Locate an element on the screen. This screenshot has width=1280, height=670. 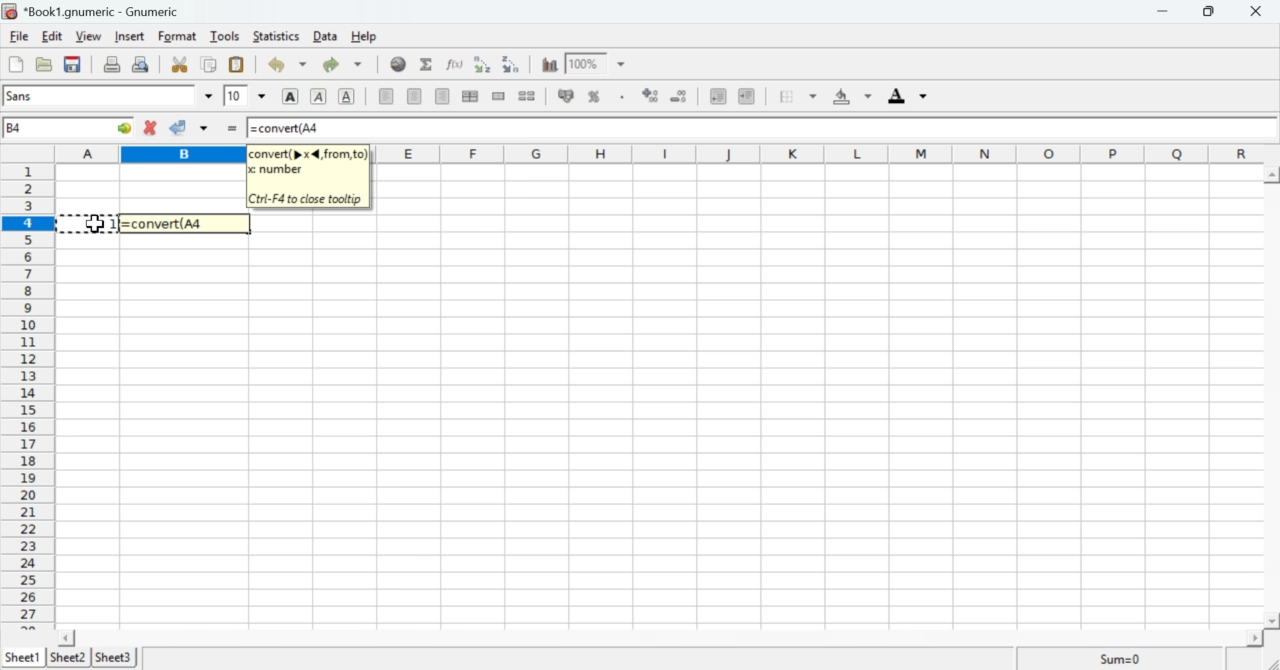
convert(p x 4, from, to)
x number
Ctri-F4 to close tooltip is located at coordinates (308, 176).